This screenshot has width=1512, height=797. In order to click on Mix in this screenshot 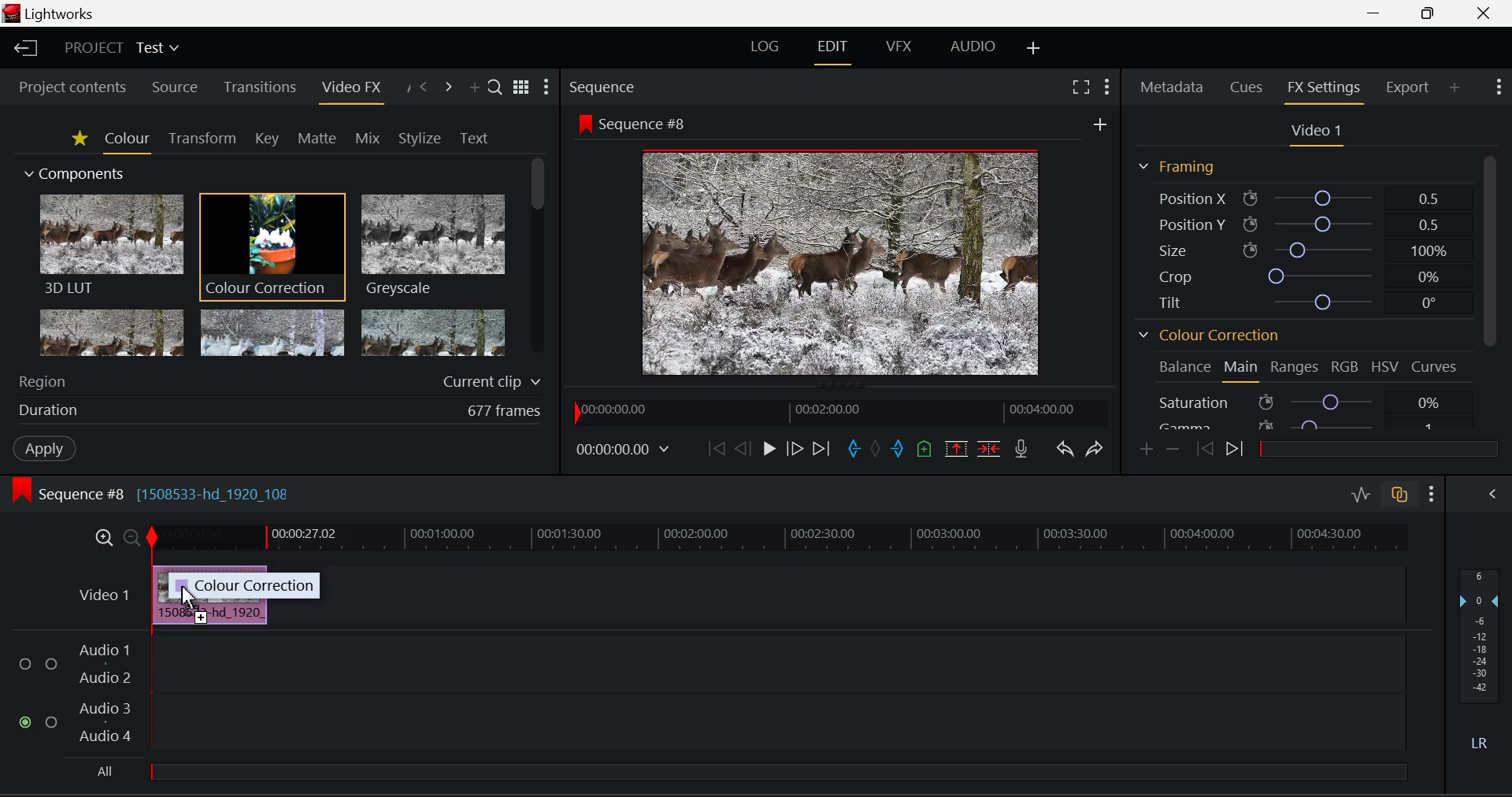, I will do `click(369, 137)`.